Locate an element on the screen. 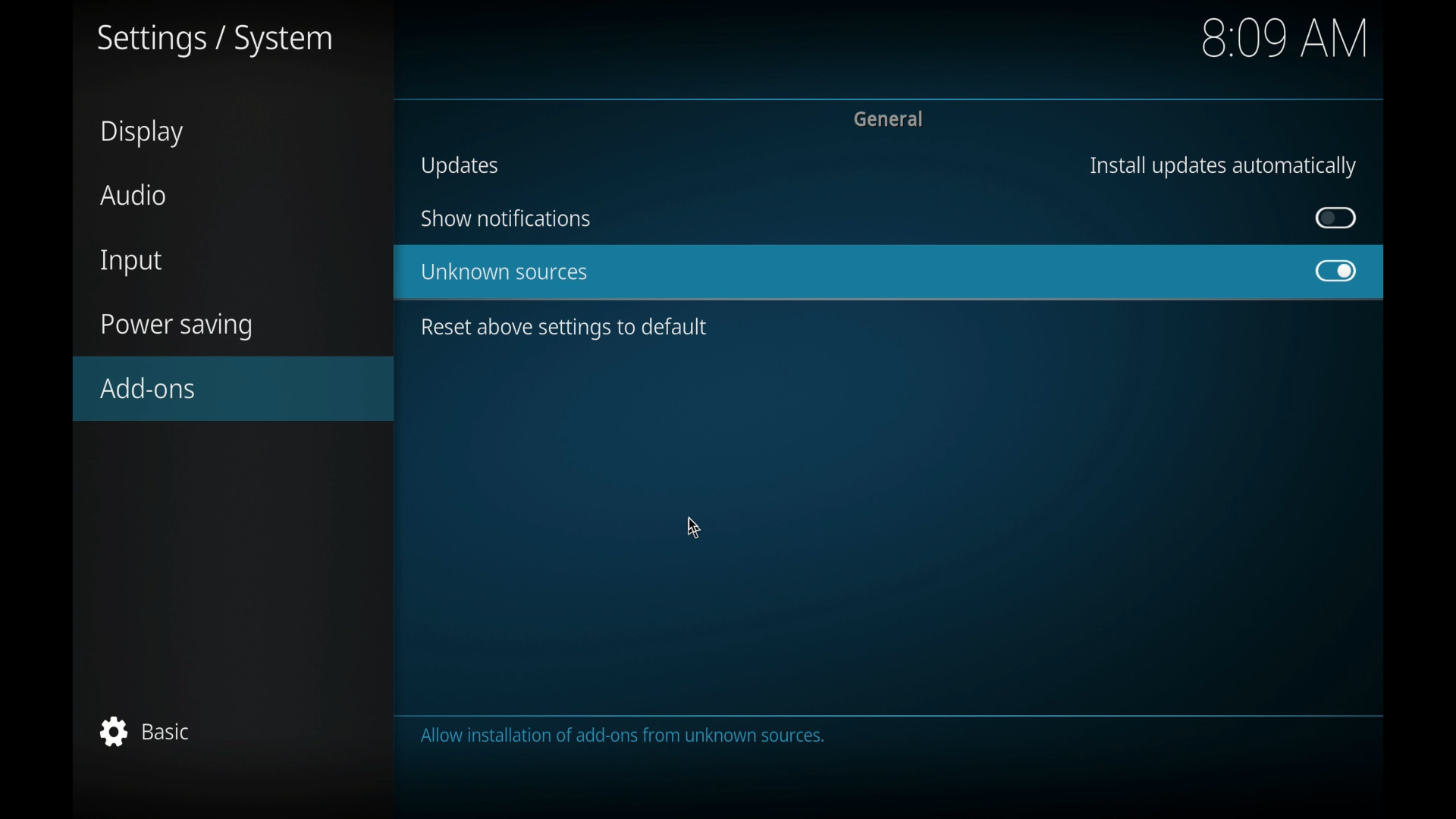 This screenshot has width=1456, height=819. show notifications is located at coordinates (505, 218).